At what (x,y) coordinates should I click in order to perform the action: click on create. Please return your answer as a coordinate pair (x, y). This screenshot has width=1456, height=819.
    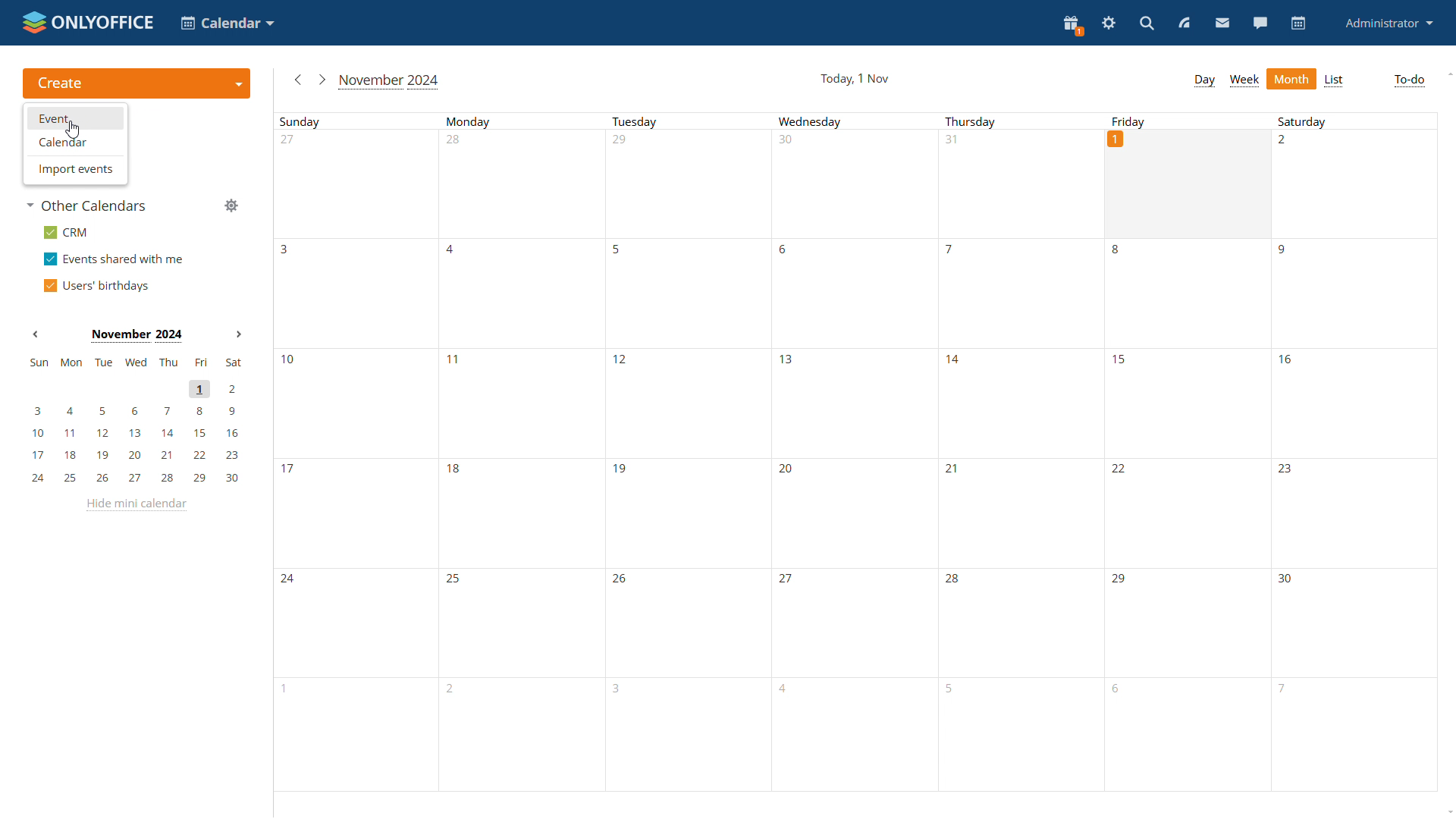
    Looking at the image, I should click on (135, 83).